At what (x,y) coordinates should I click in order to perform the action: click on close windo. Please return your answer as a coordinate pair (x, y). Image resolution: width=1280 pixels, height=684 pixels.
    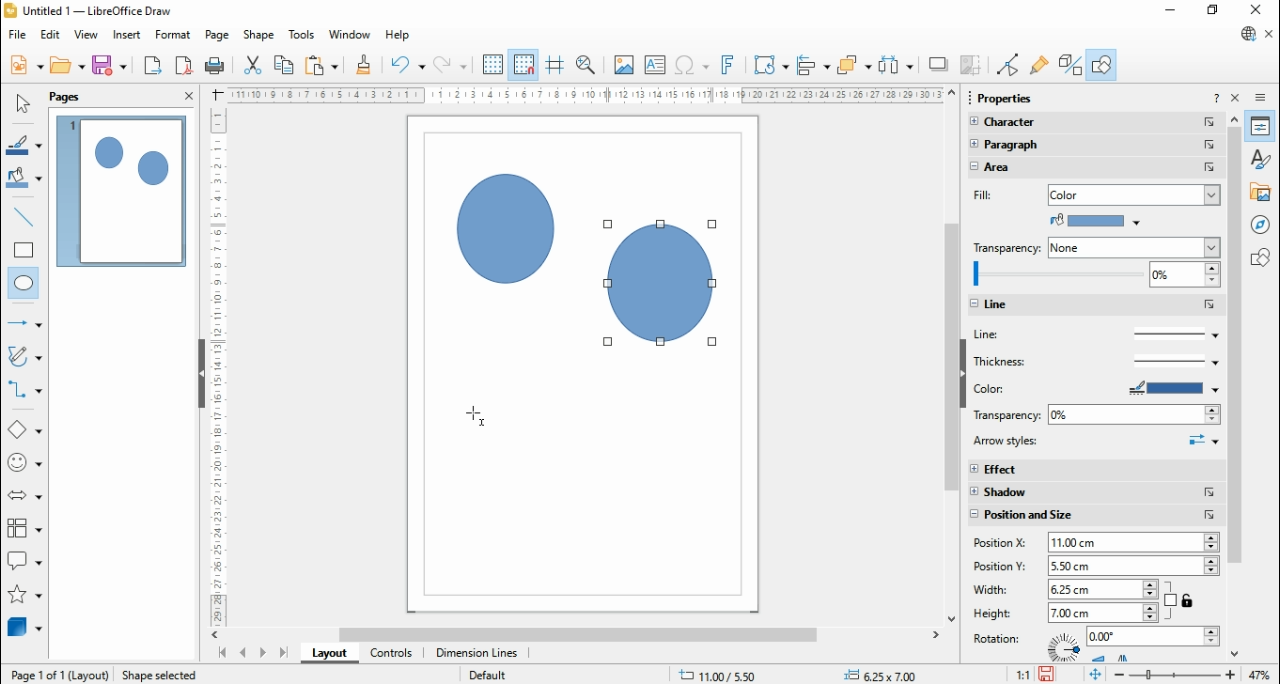
    Looking at the image, I should click on (1259, 11).